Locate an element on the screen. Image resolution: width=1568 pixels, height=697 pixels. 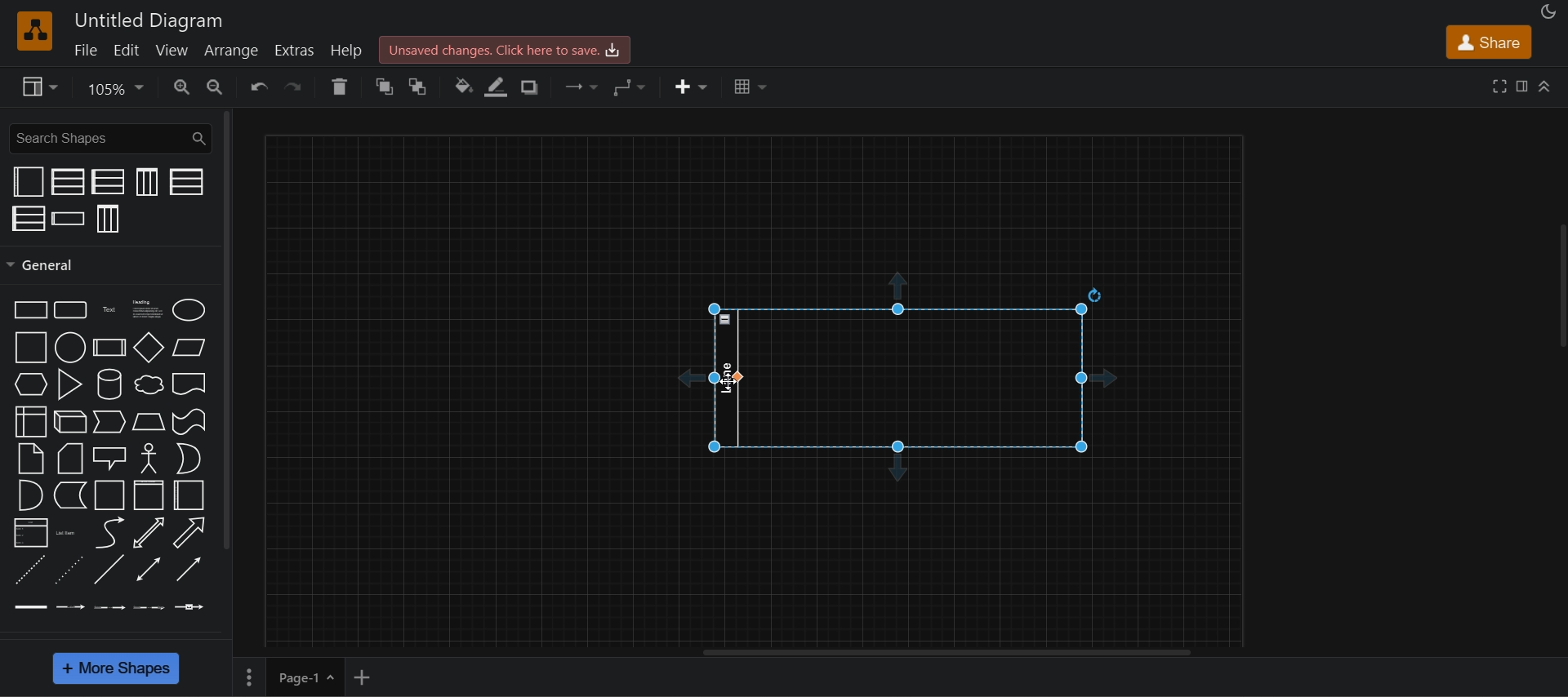
more shapes is located at coordinates (118, 669).